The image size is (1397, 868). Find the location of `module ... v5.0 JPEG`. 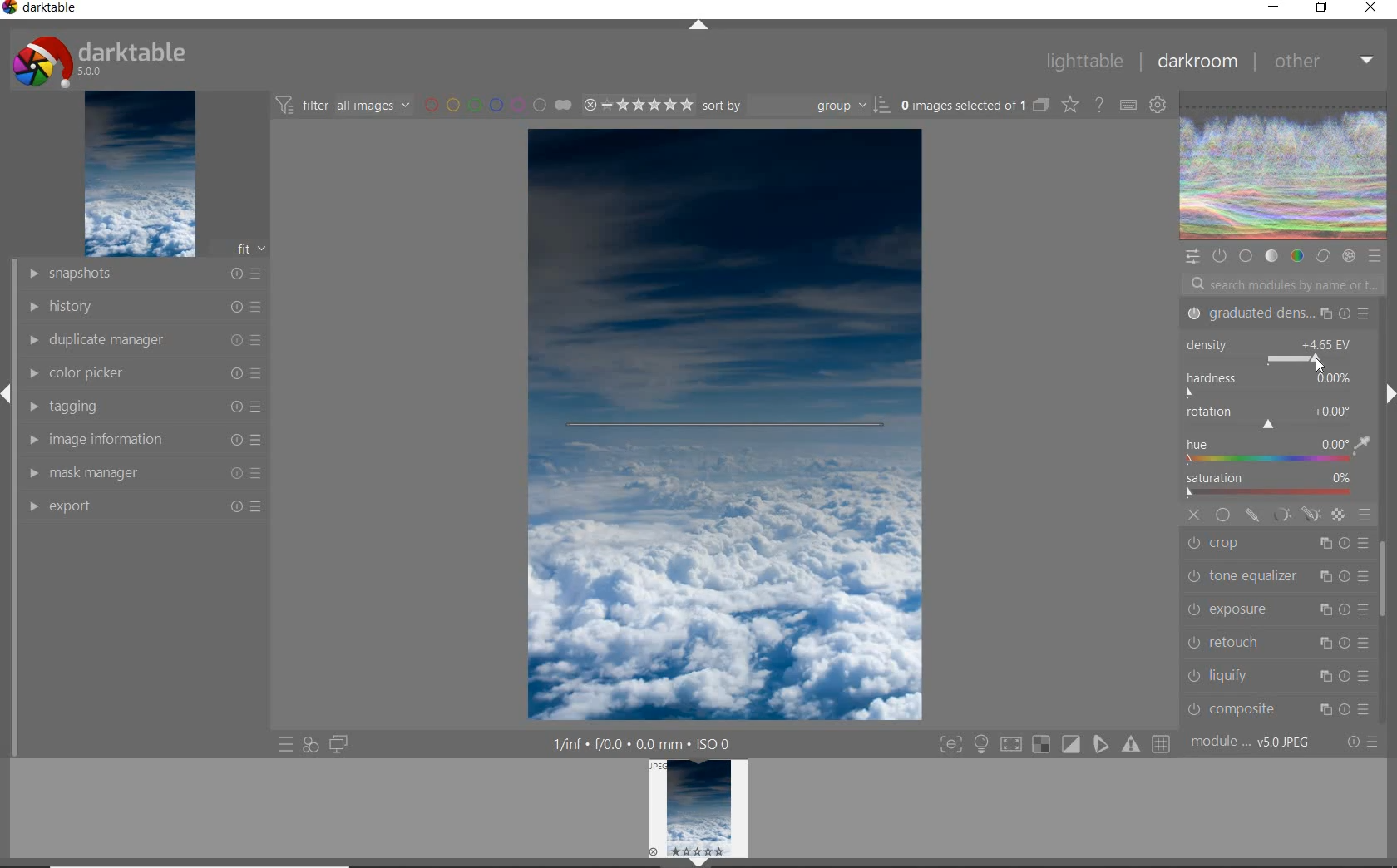

module ... v5.0 JPEG is located at coordinates (1251, 745).